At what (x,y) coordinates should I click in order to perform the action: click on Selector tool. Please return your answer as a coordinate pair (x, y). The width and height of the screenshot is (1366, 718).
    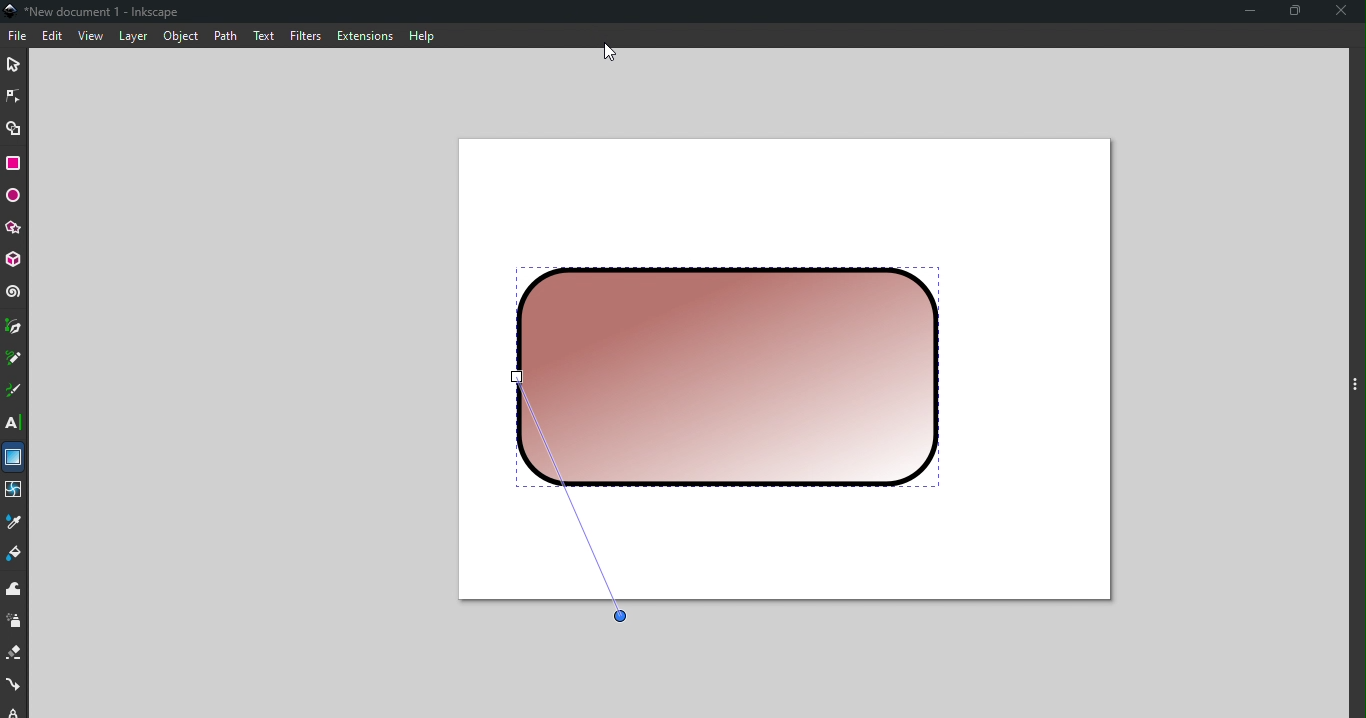
    Looking at the image, I should click on (14, 62).